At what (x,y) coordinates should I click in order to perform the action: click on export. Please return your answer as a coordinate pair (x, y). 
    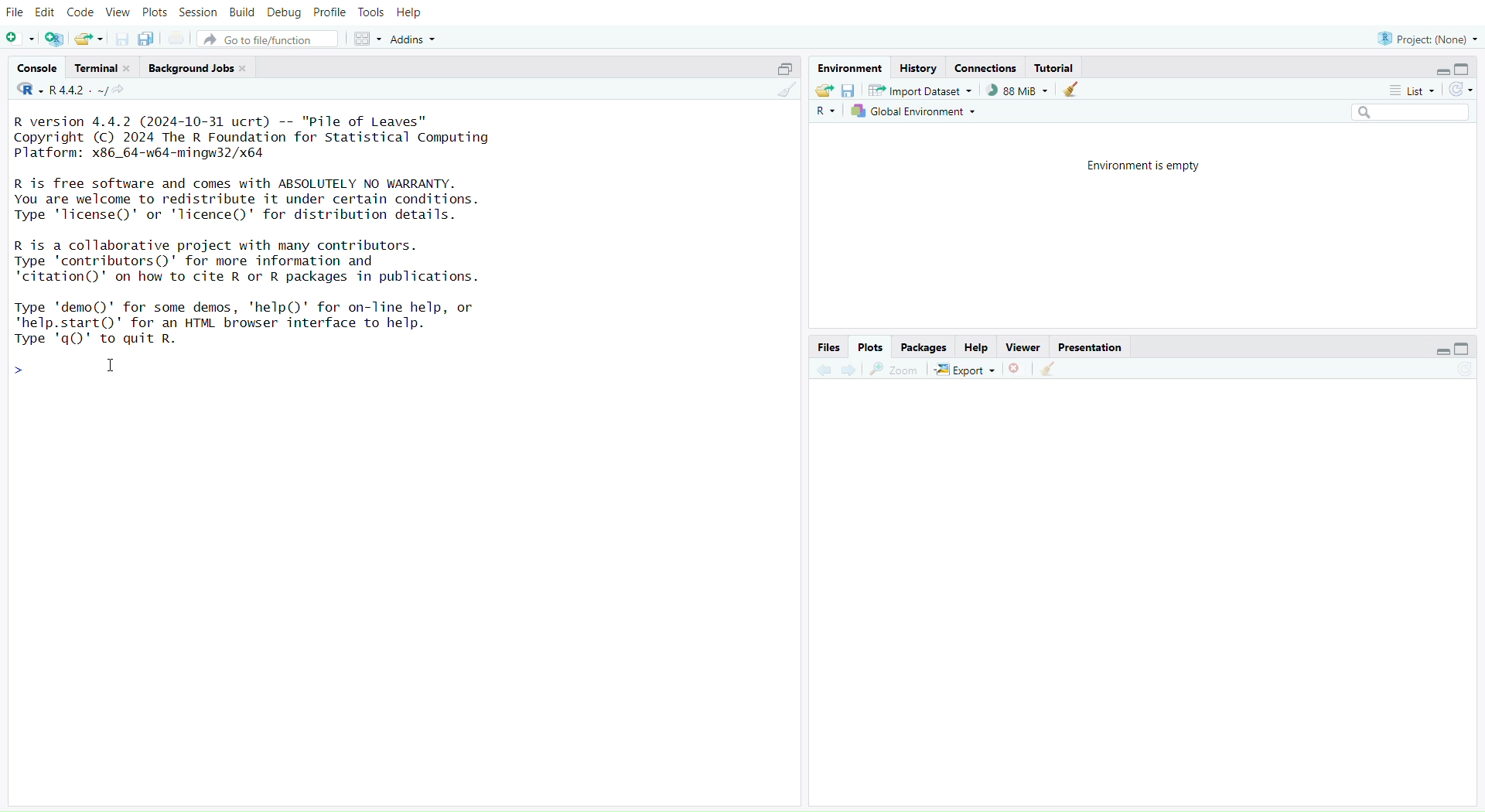
    Looking at the image, I should click on (967, 370).